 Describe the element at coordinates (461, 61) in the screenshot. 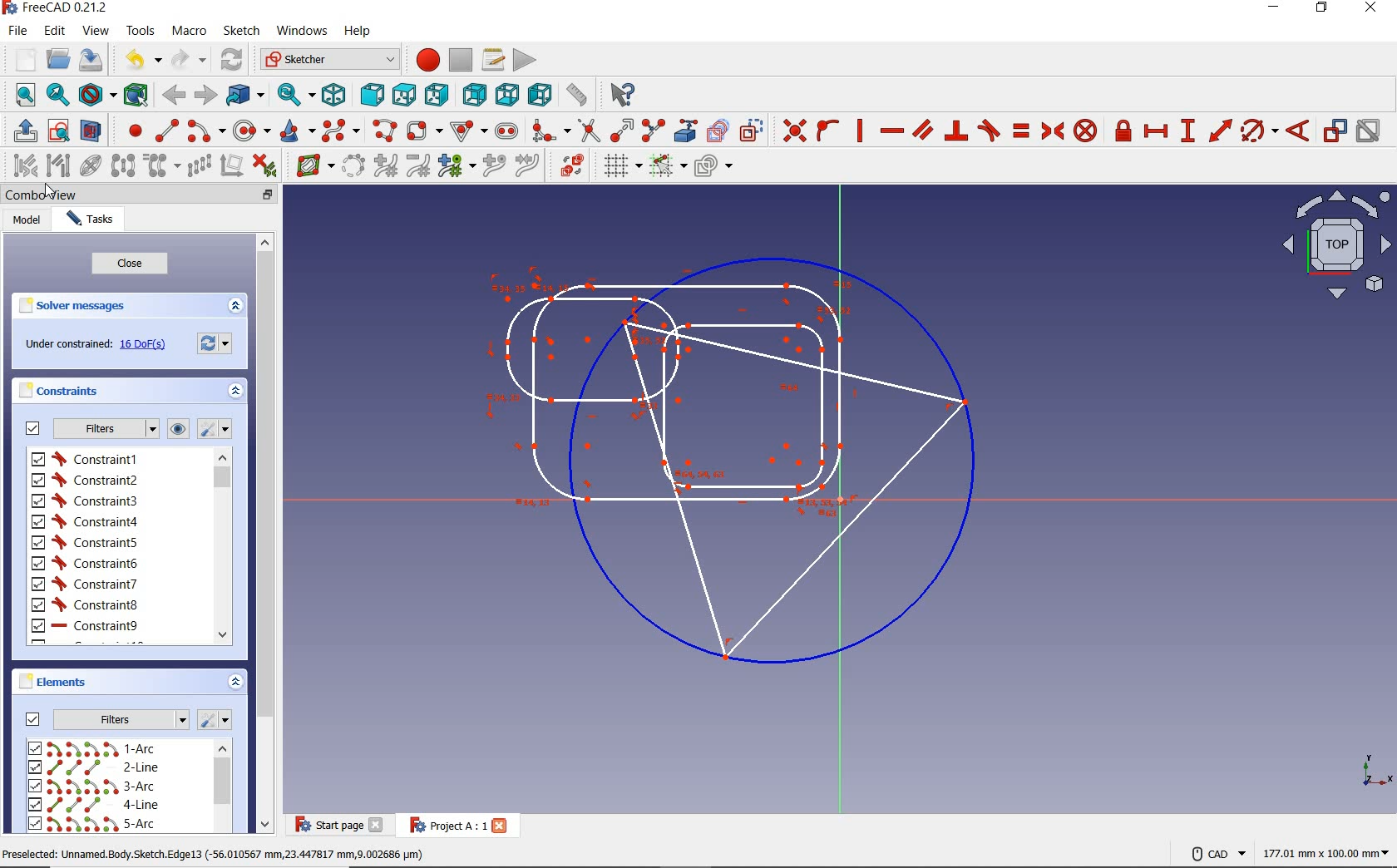

I see `stop macro recording` at that location.